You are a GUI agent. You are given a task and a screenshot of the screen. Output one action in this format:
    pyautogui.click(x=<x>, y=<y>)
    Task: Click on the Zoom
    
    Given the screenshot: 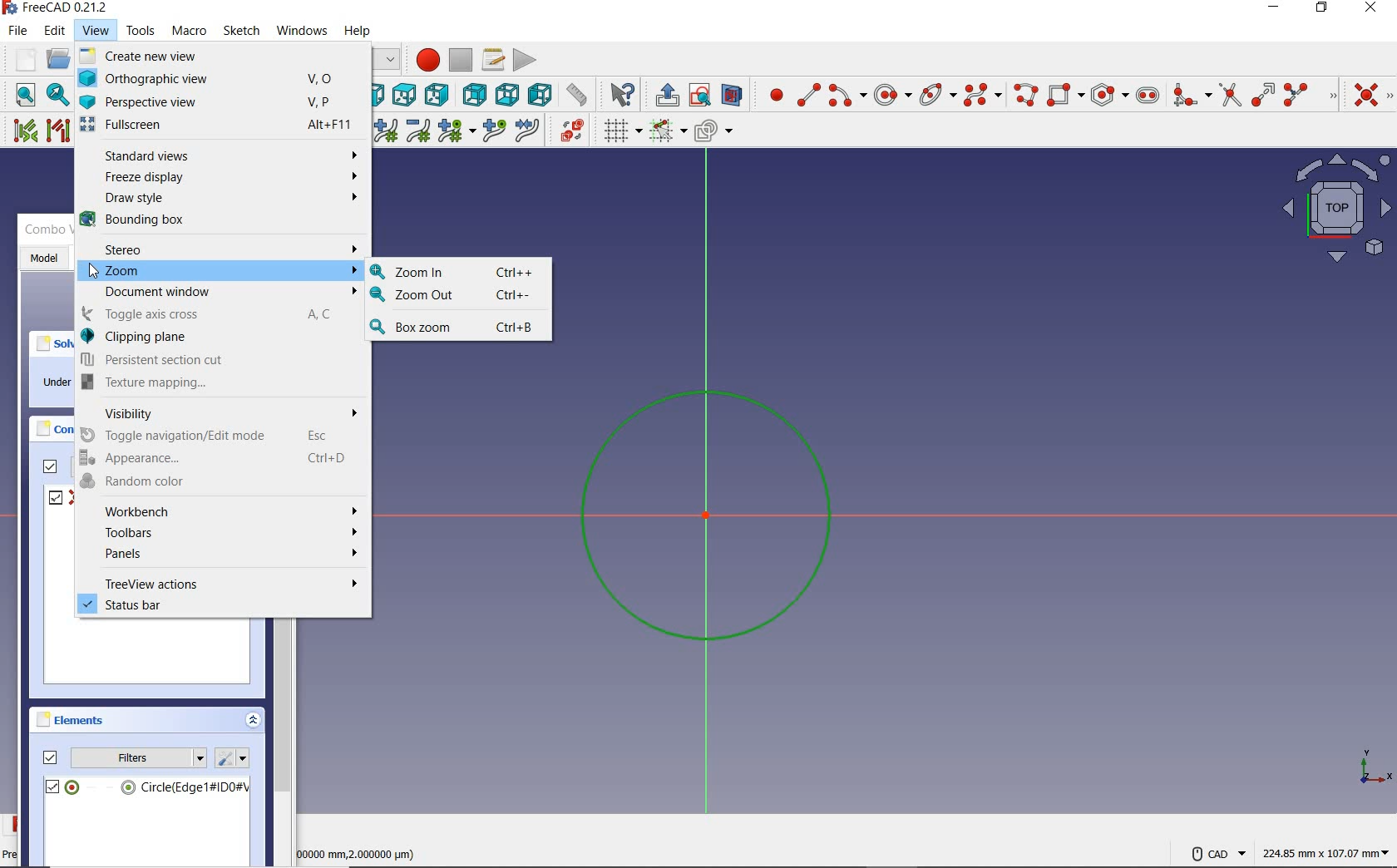 What is the action you would take?
    pyautogui.click(x=228, y=270)
    